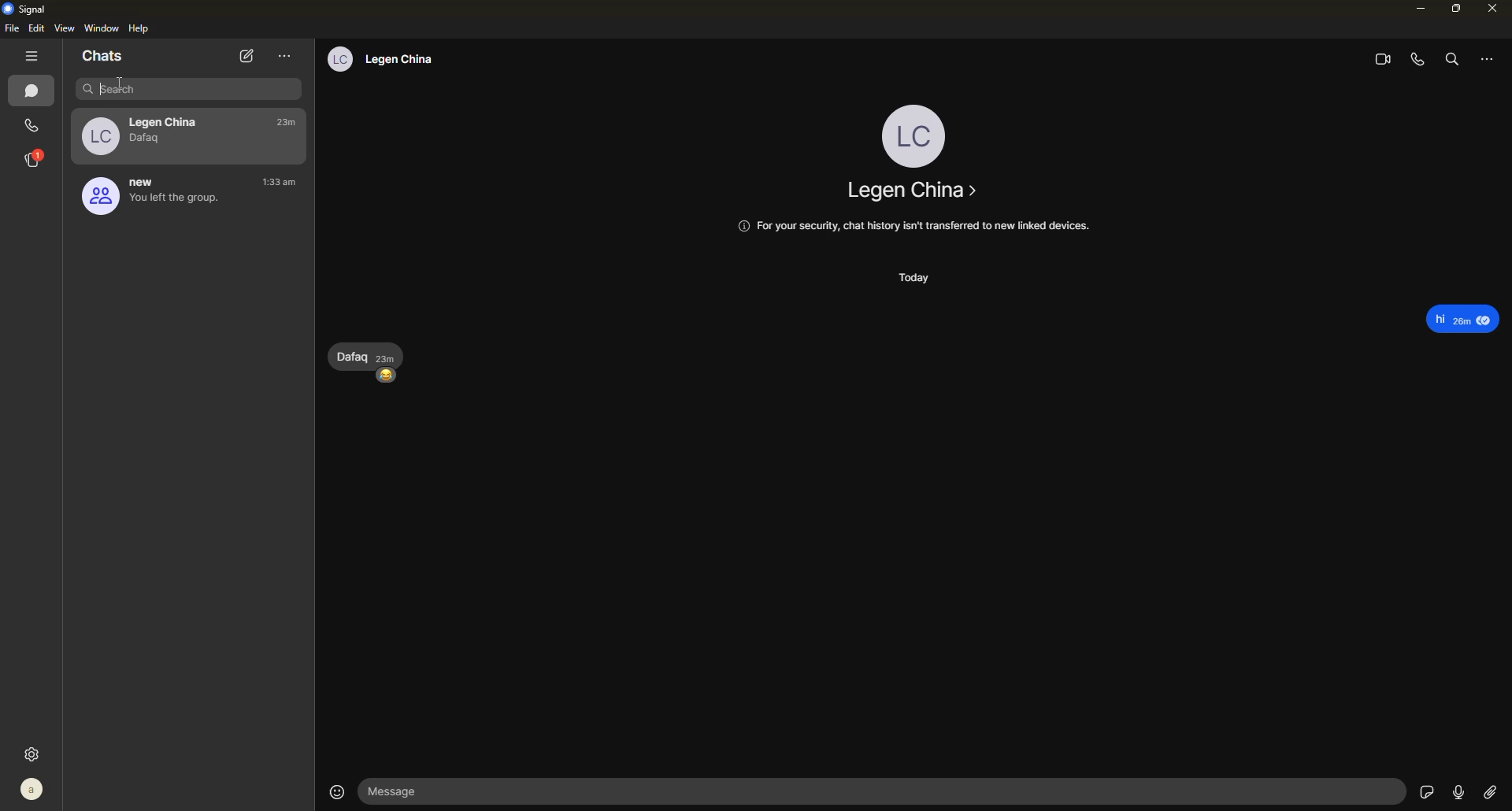 The width and height of the screenshot is (1512, 811). What do you see at coordinates (247, 57) in the screenshot?
I see `new chat` at bounding box center [247, 57].